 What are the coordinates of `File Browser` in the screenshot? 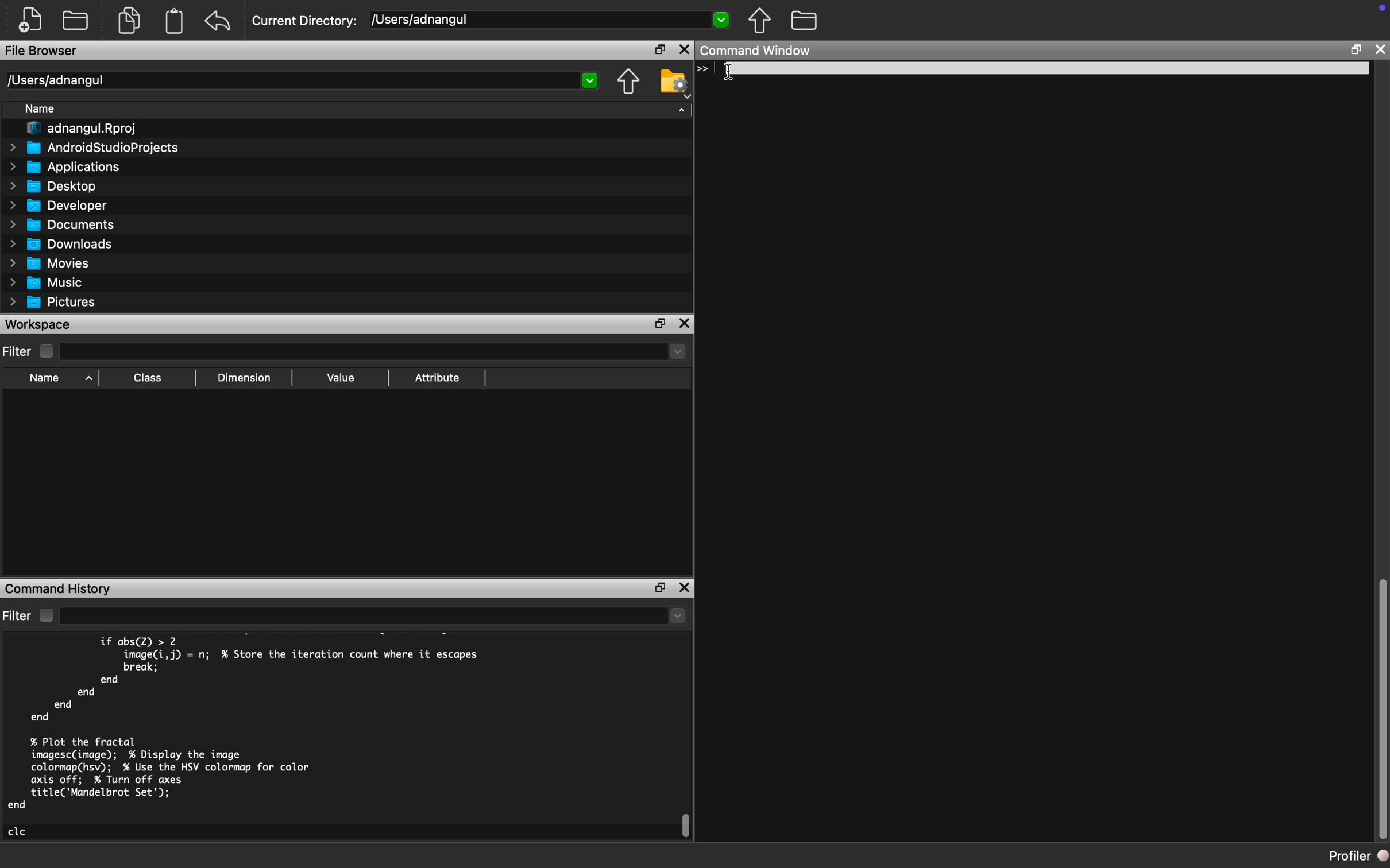 It's located at (41, 52).